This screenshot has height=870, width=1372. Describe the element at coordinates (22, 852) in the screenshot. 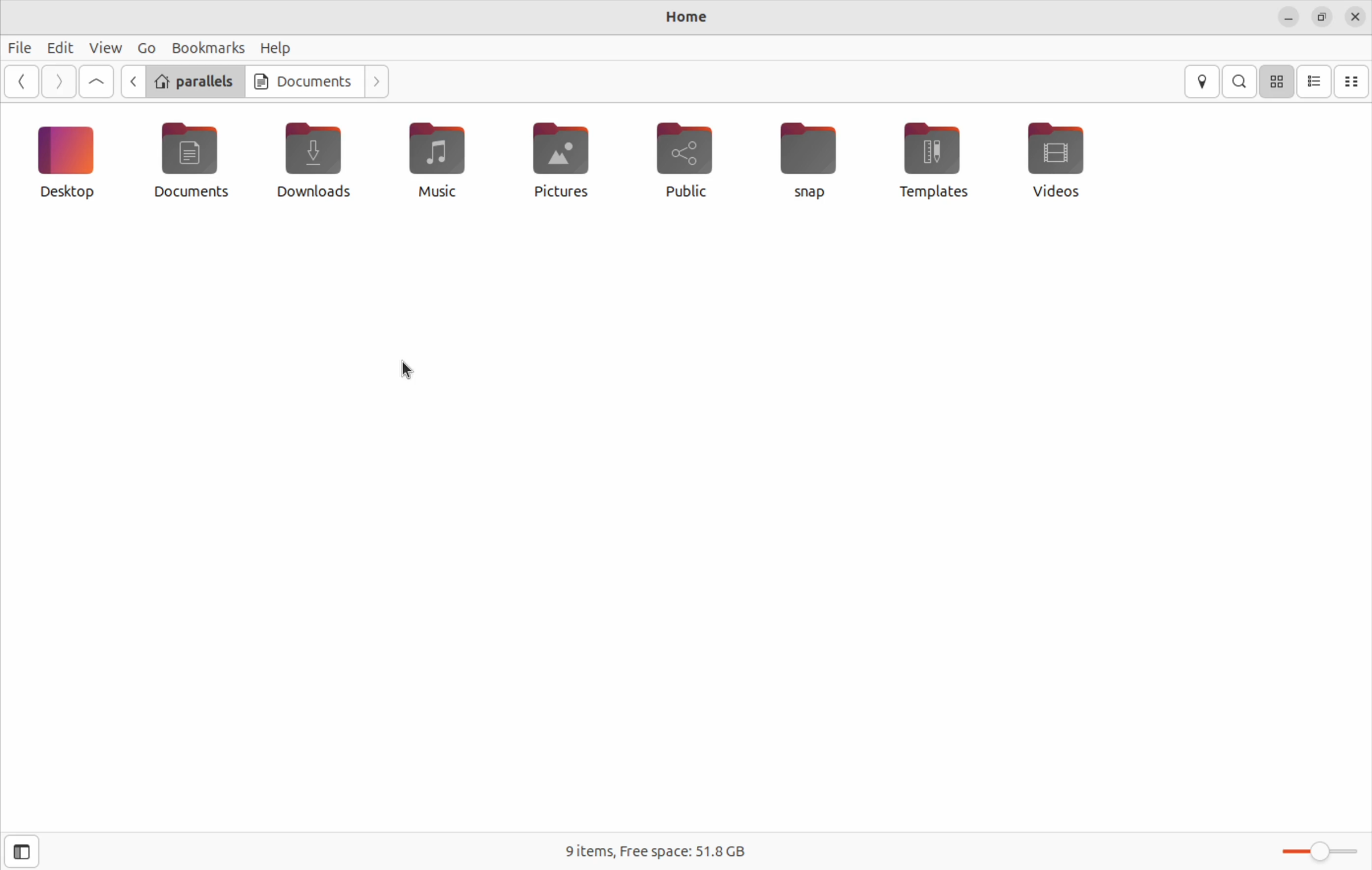

I see `open side bar` at that location.